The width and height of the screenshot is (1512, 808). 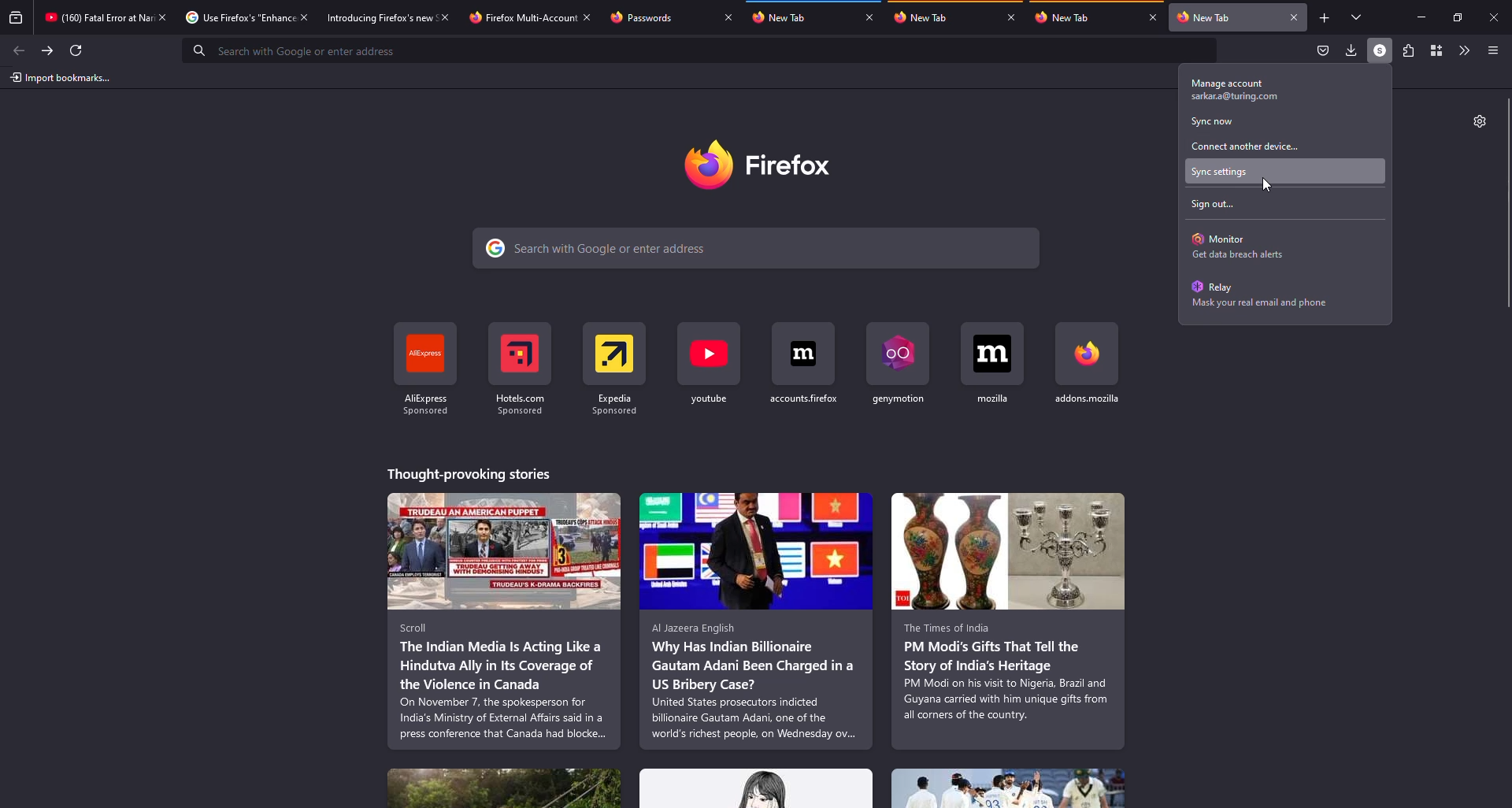 I want to click on stories, so click(x=1011, y=788).